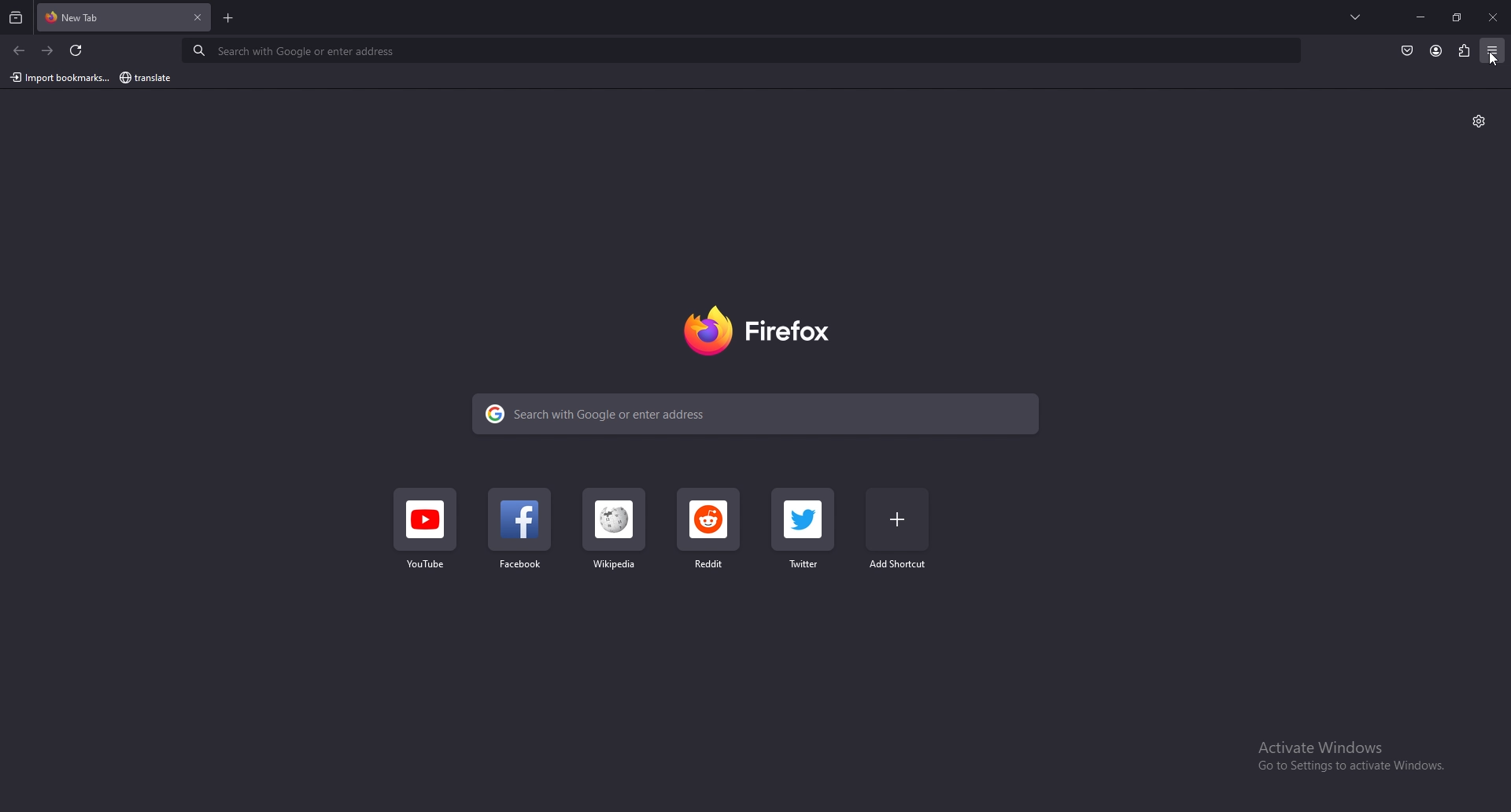  Describe the element at coordinates (1494, 17) in the screenshot. I see `close` at that location.